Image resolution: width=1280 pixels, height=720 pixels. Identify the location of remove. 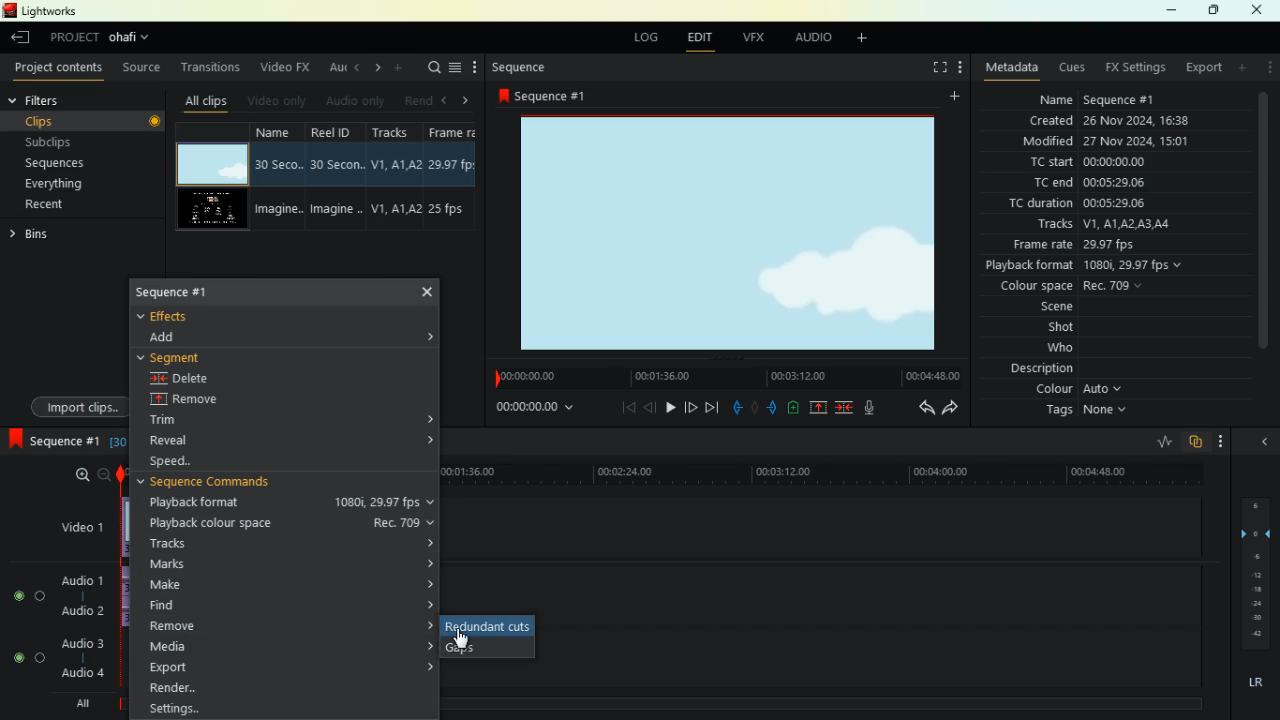
(214, 399).